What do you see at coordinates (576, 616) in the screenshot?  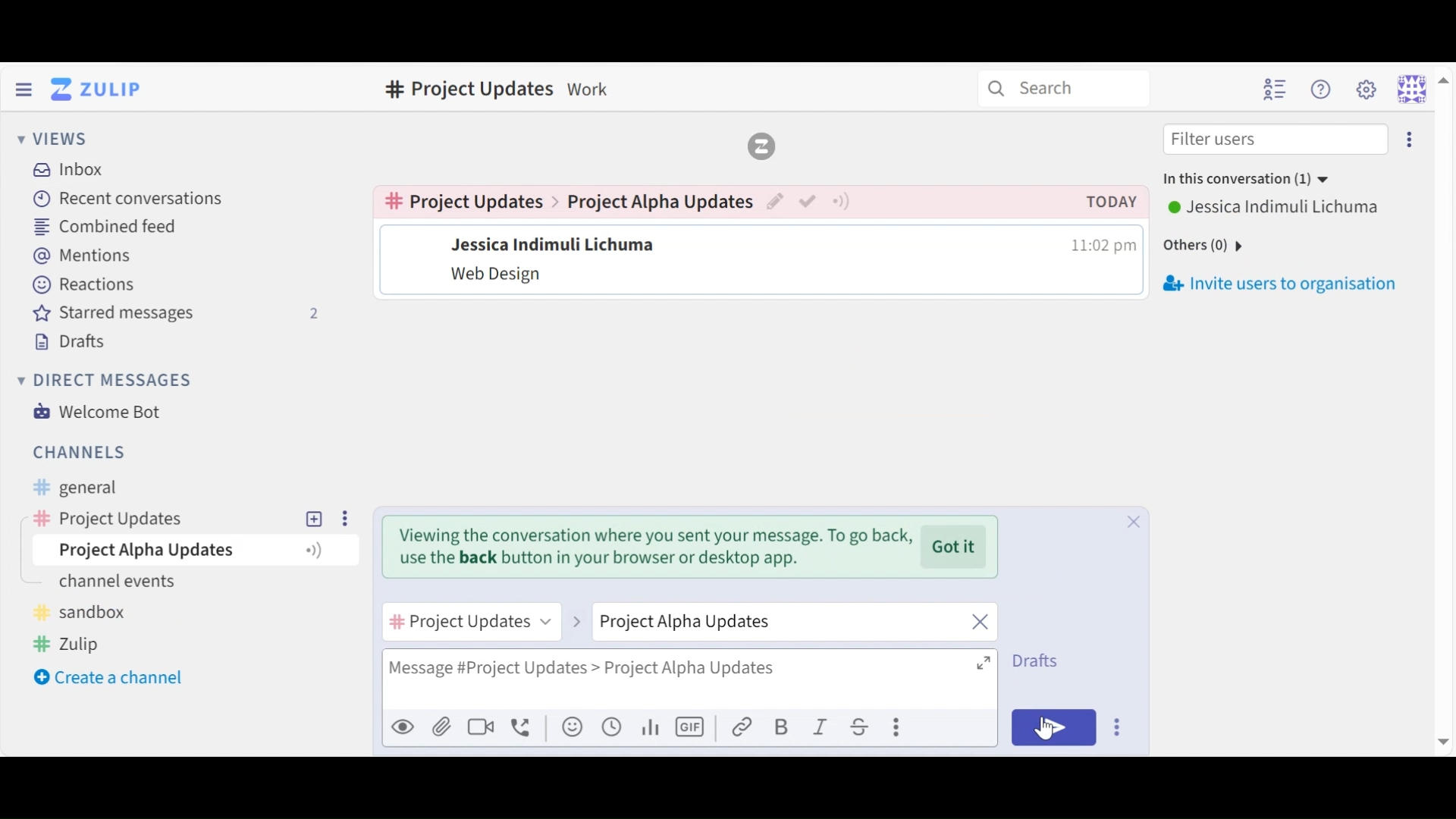 I see `next` at bounding box center [576, 616].